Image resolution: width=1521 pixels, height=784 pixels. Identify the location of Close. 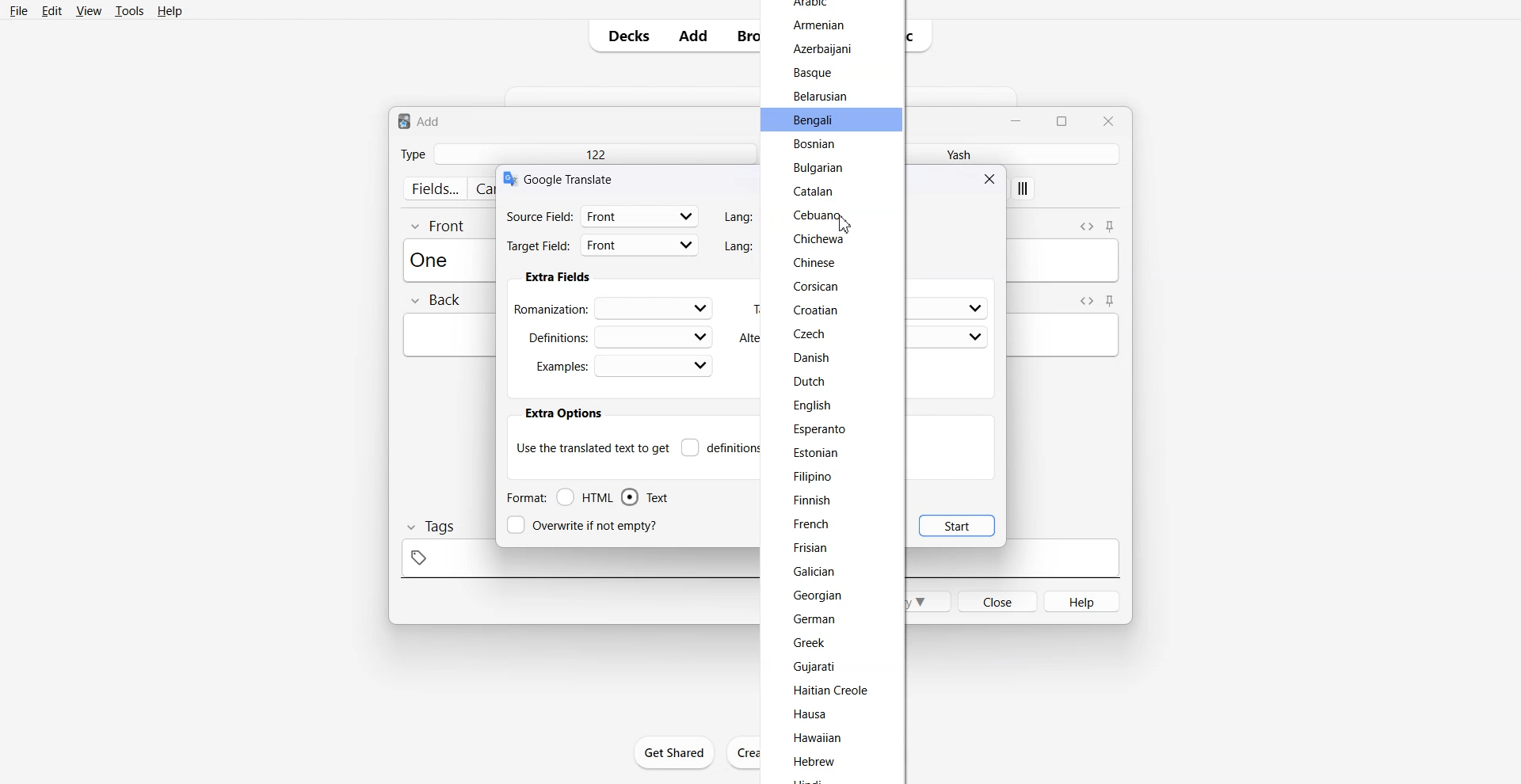
(1107, 120).